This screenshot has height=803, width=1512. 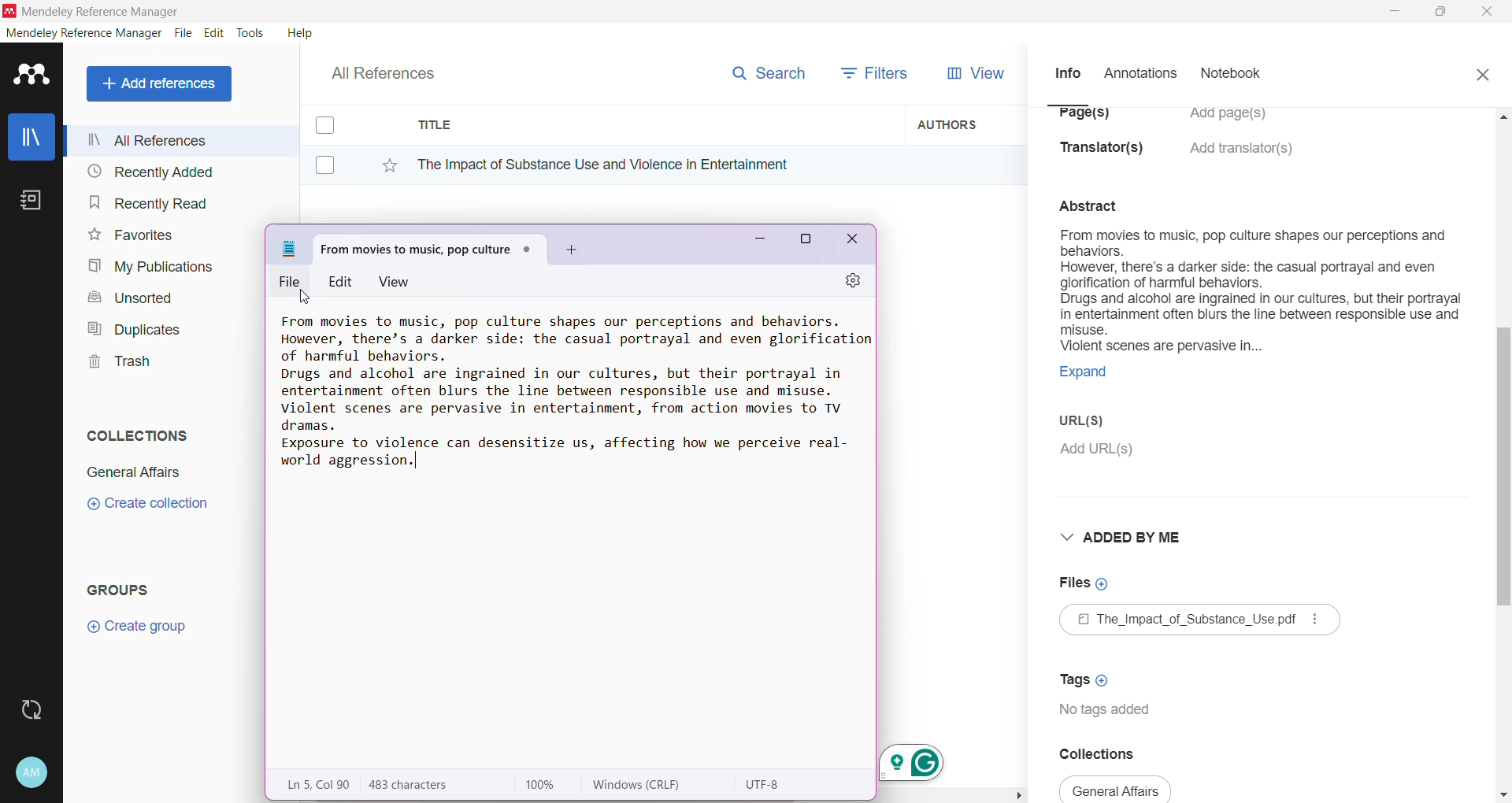 What do you see at coordinates (293, 282) in the screenshot?
I see `File` at bounding box center [293, 282].